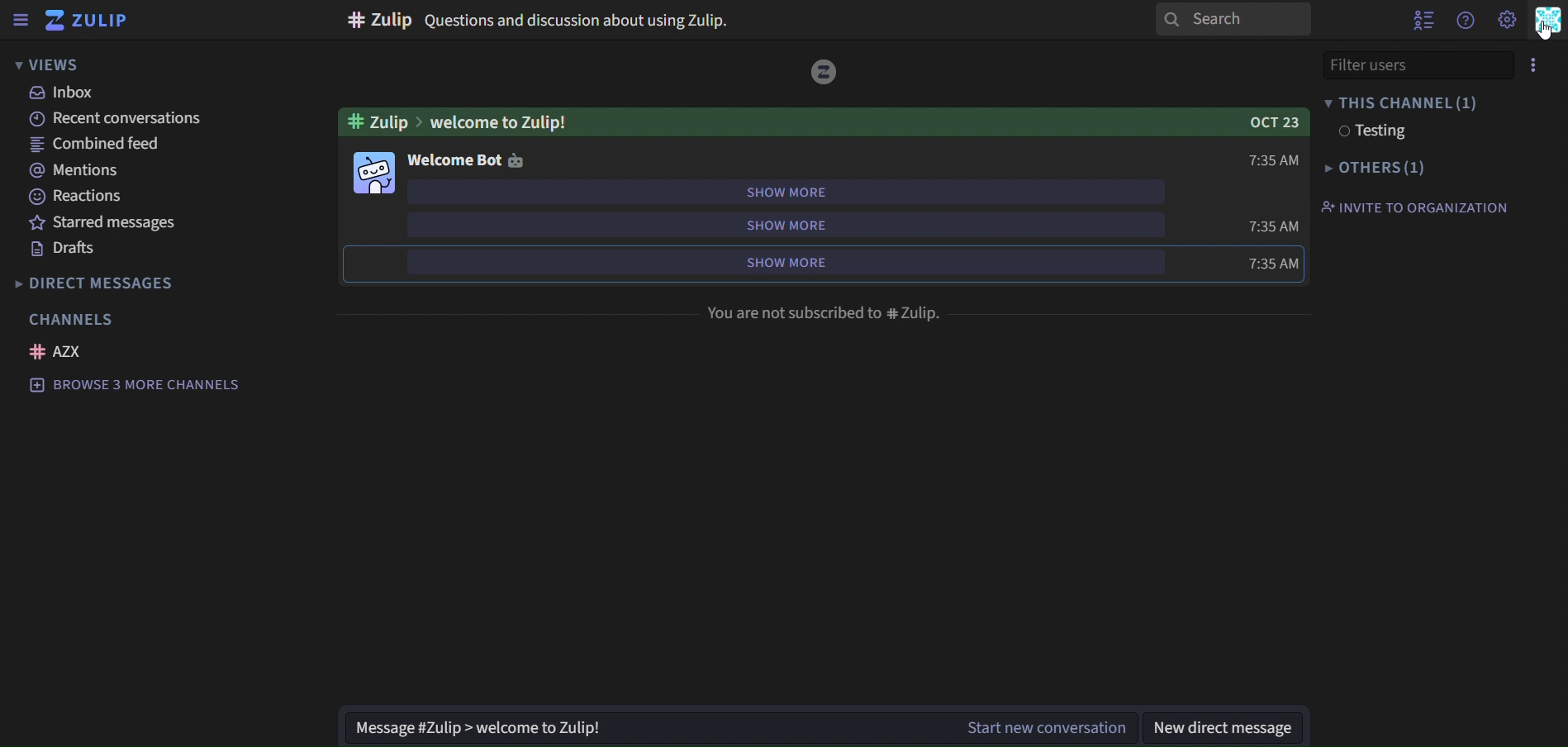 This screenshot has width=1568, height=747. I want to click on main menu, so click(1508, 20).